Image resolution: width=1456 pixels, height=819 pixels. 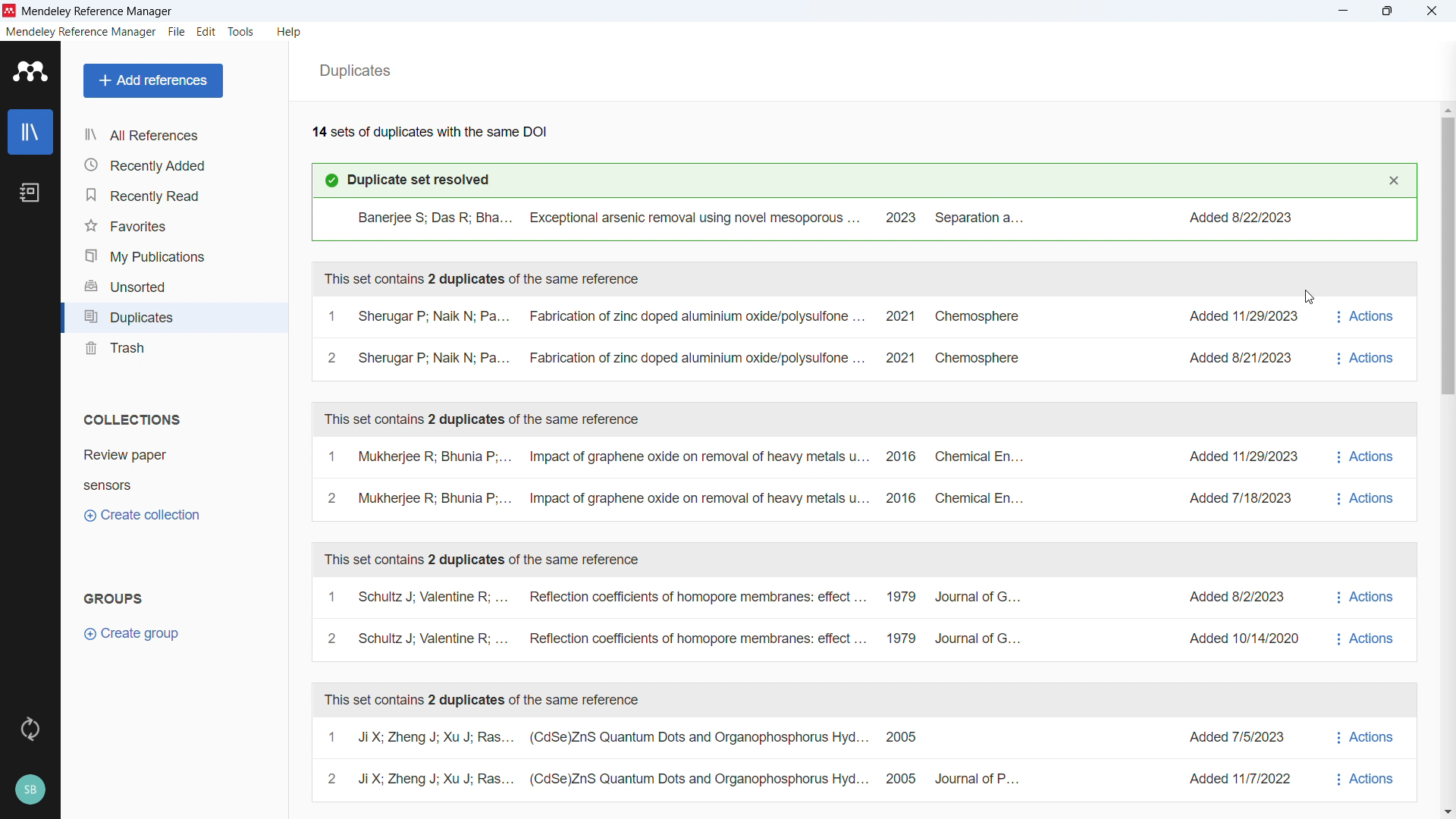 What do you see at coordinates (1367, 479) in the screenshot?
I see `Actions ` at bounding box center [1367, 479].